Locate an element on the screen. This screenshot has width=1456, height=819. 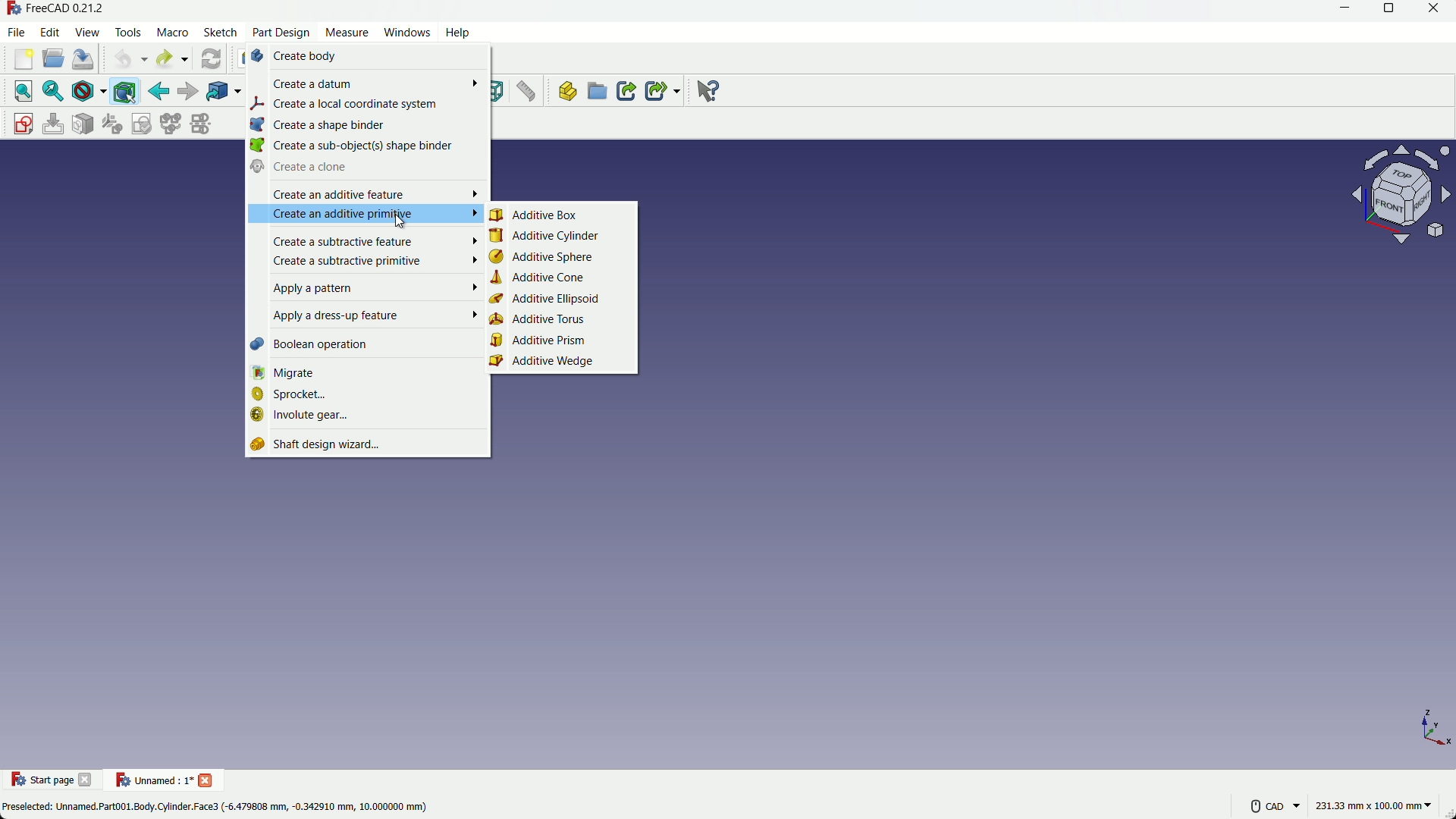
additive prism is located at coordinates (564, 340).